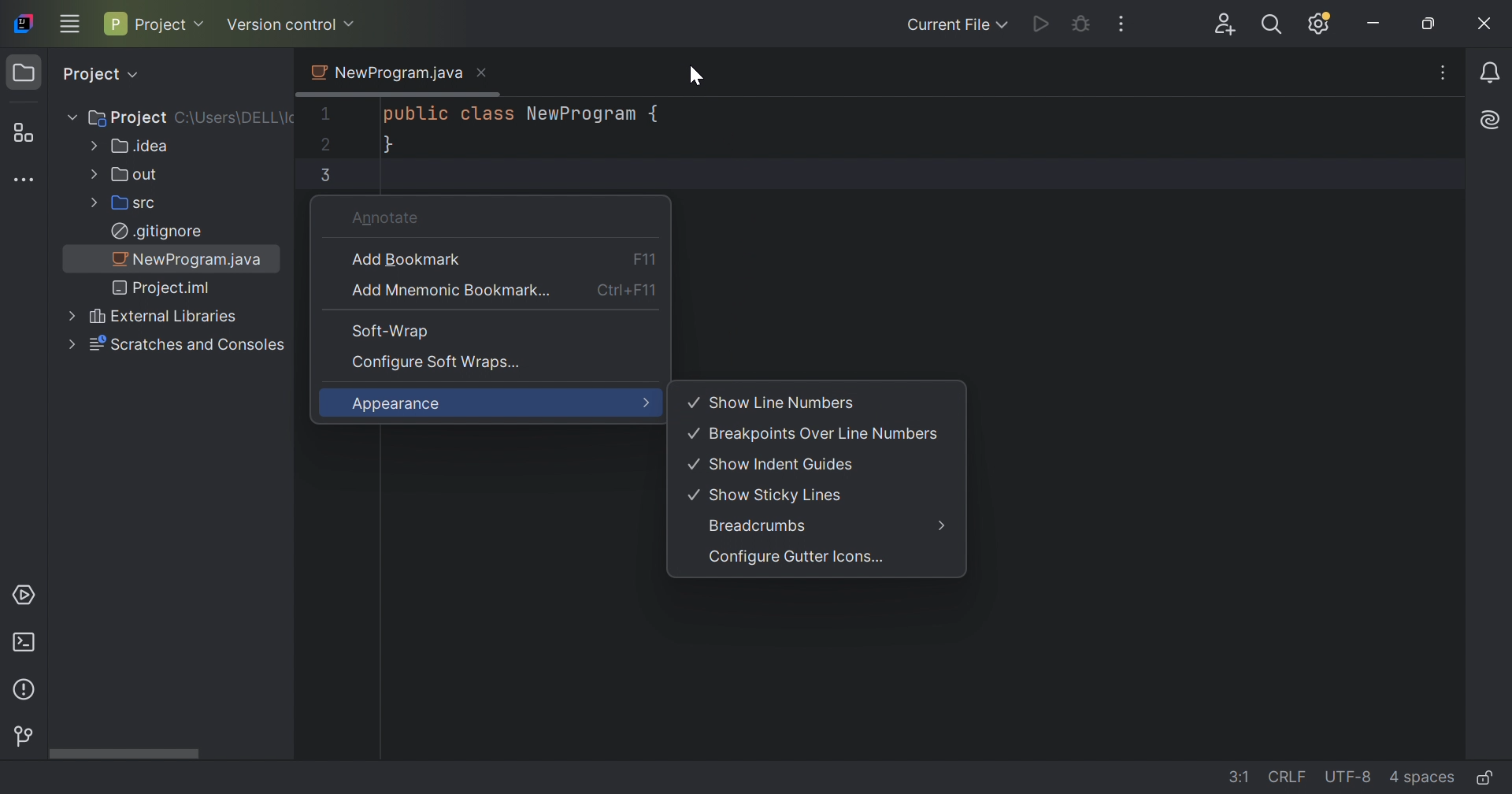 The width and height of the screenshot is (1512, 794). I want to click on Updates Available. IDE and Project settings, so click(1321, 25).